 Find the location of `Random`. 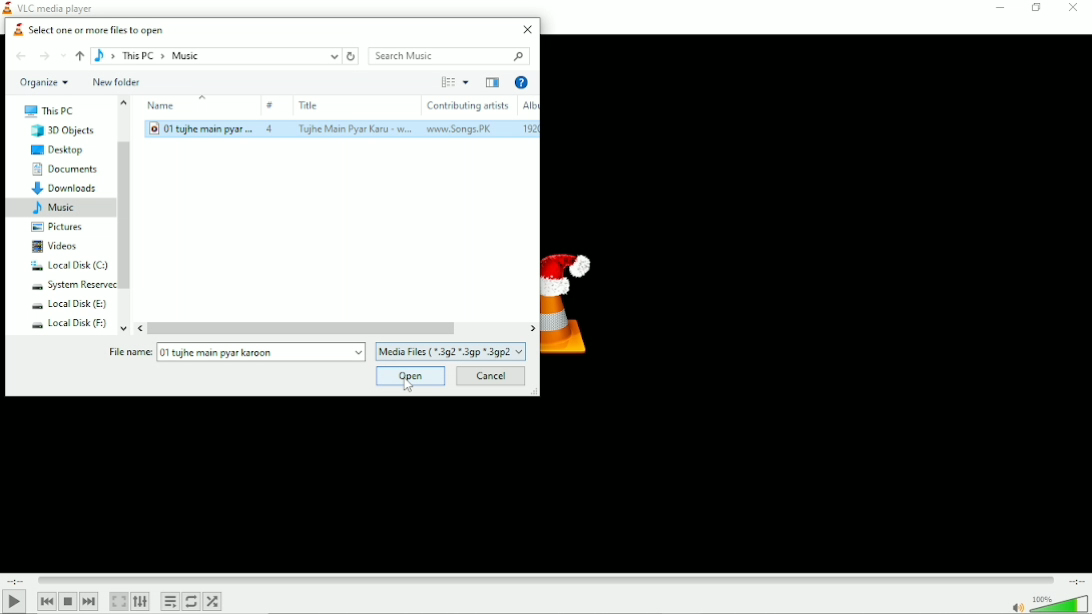

Random is located at coordinates (213, 602).